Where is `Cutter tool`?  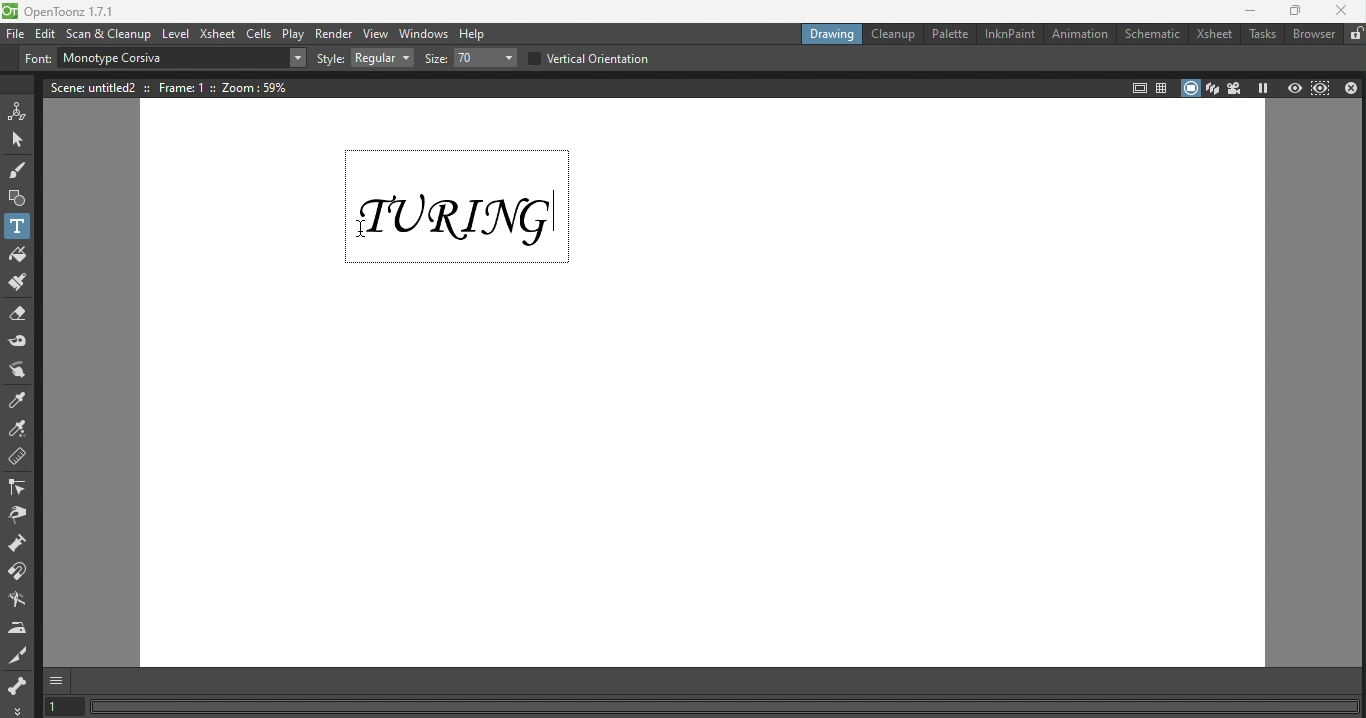 Cutter tool is located at coordinates (21, 654).